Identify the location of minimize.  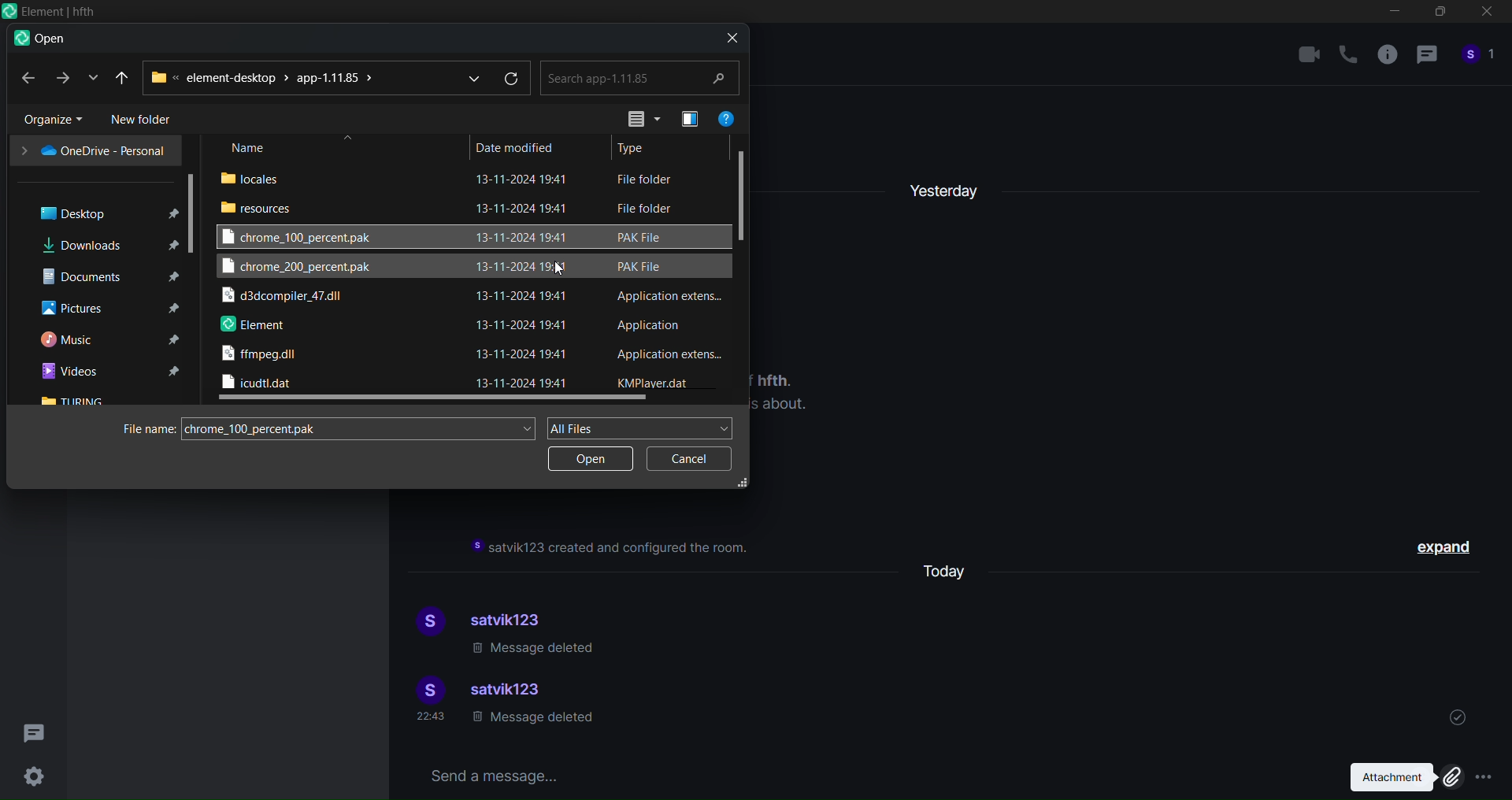
(1395, 14).